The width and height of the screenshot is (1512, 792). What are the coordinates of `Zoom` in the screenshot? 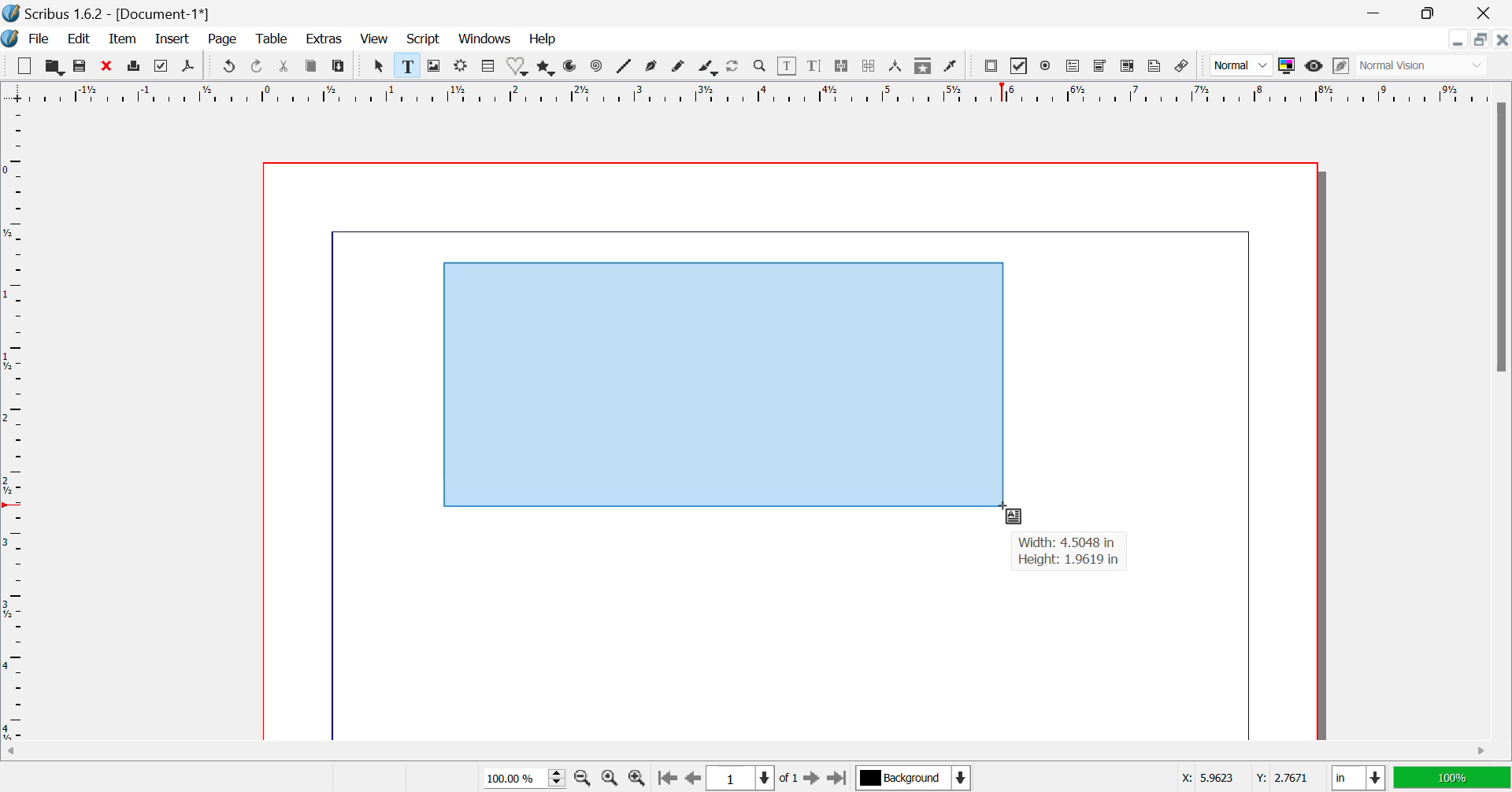 It's located at (762, 68).